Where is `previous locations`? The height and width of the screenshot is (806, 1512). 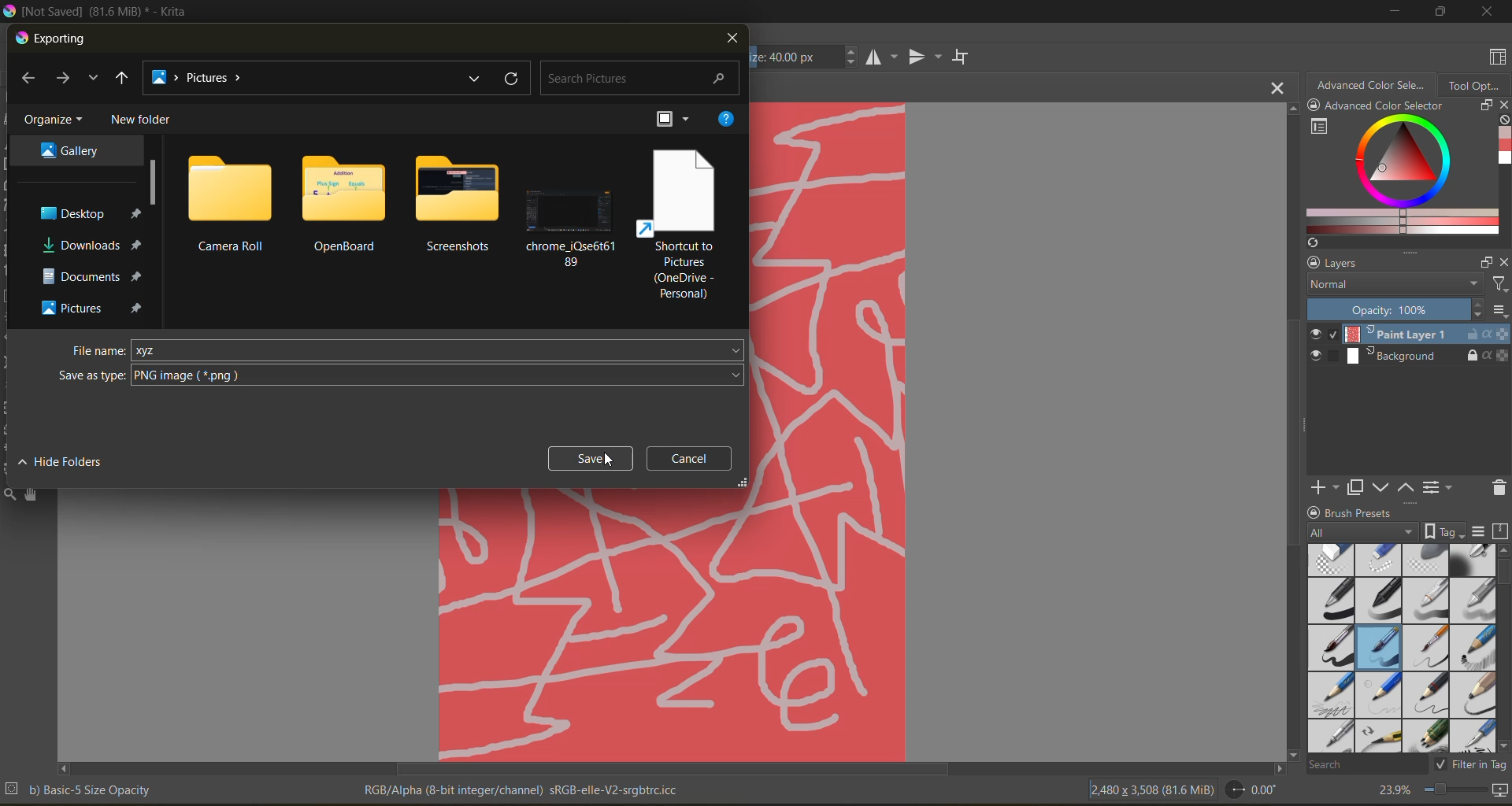
previous locations is located at coordinates (476, 78).